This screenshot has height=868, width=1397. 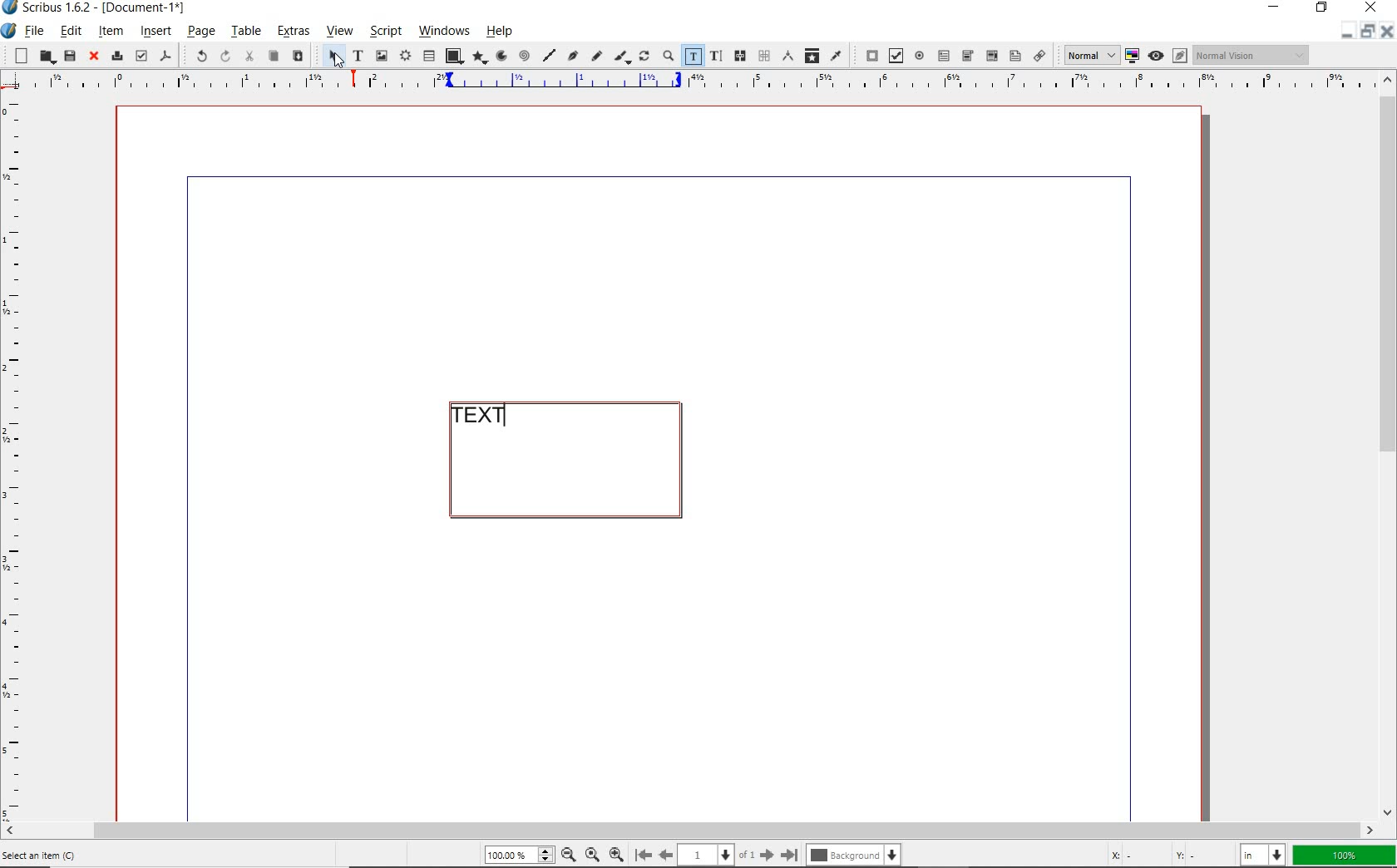 What do you see at coordinates (597, 57) in the screenshot?
I see `freehand line` at bounding box center [597, 57].